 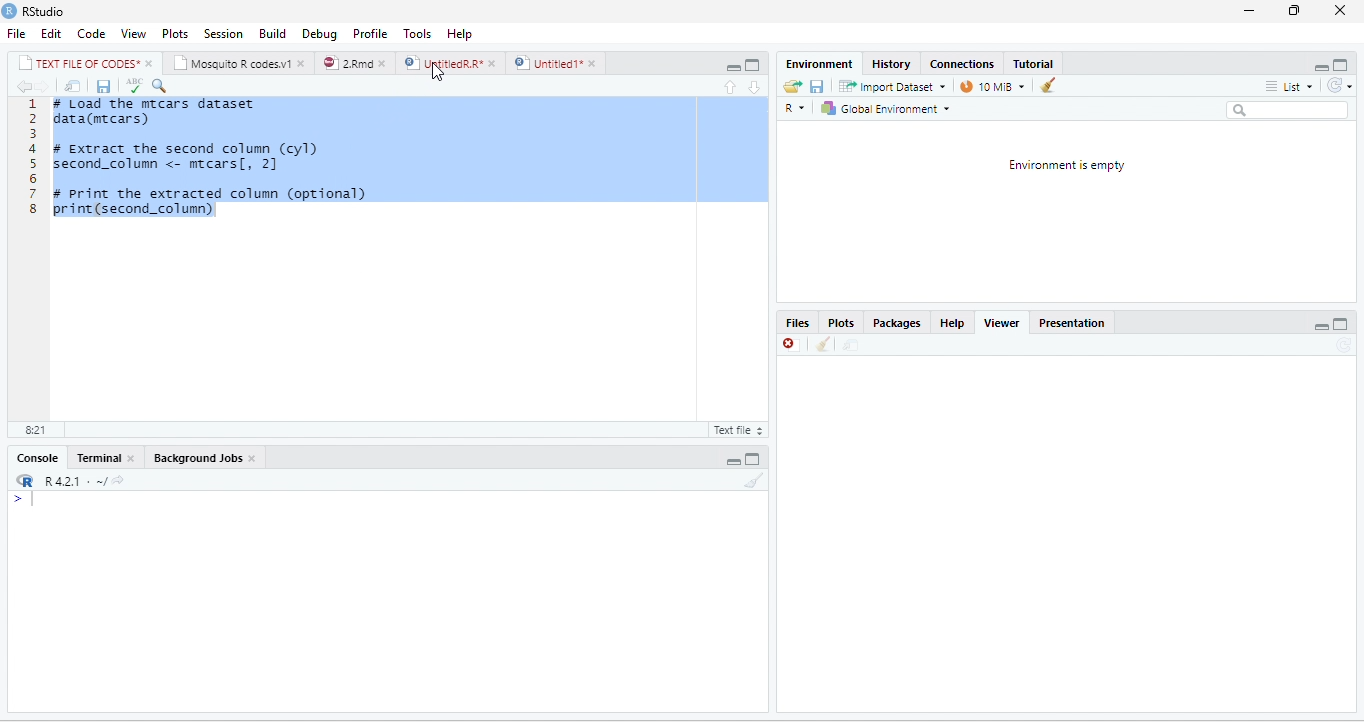 What do you see at coordinates (547, 63) in the screenshot?
I see `) | Untitled 1*` at bounding box center [547, 63].